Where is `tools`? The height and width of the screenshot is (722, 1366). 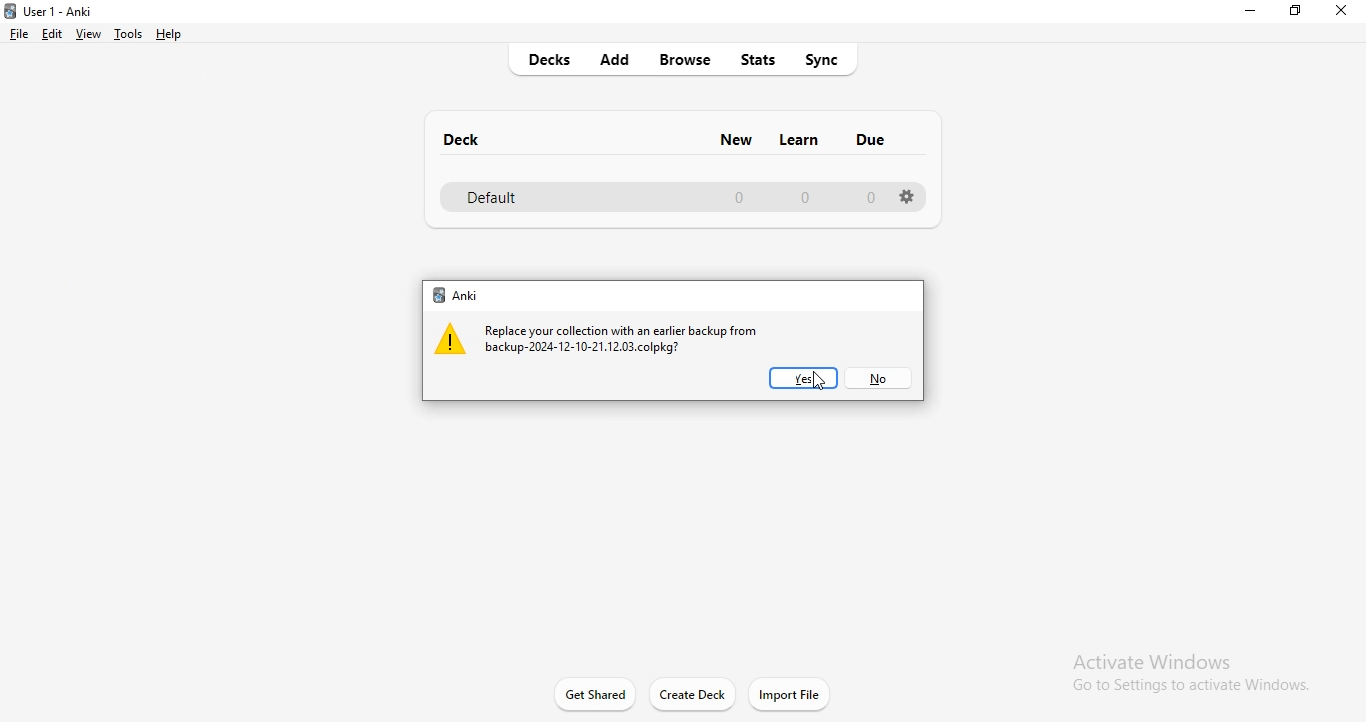 tools is located at coordinates (129, 34).